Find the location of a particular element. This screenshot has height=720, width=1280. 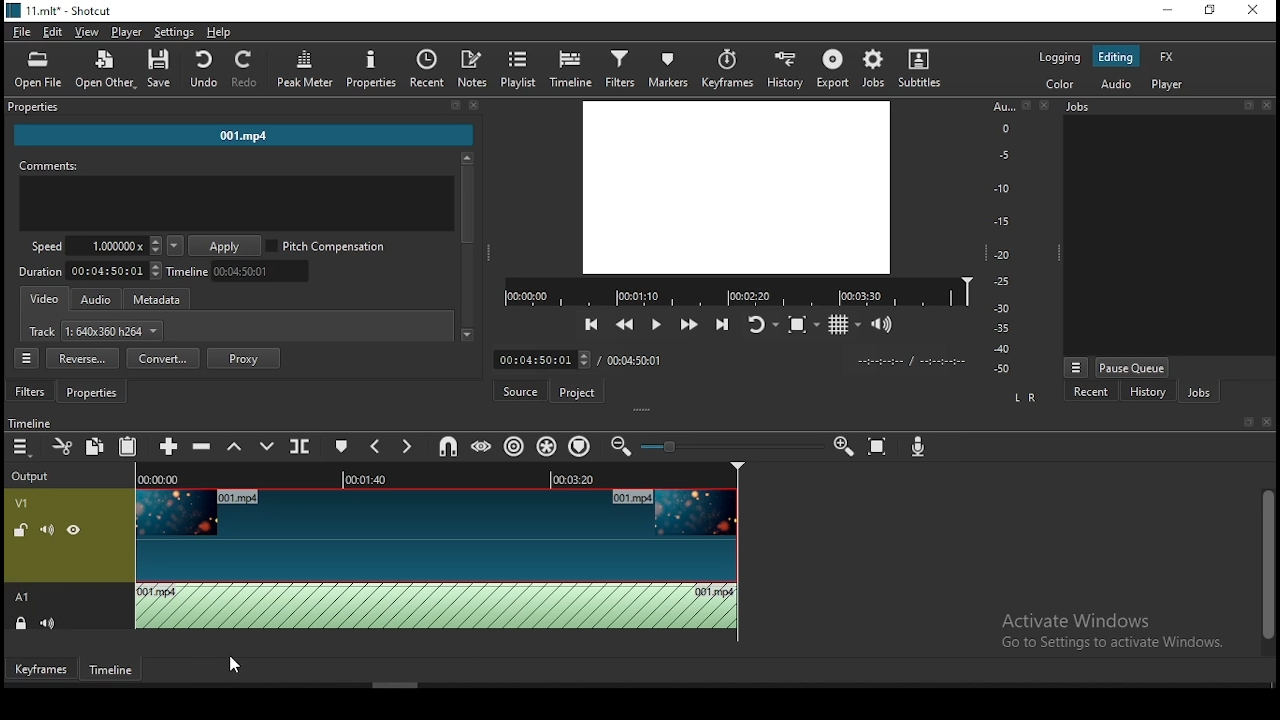

more options is located at coordinates (1074, 367).